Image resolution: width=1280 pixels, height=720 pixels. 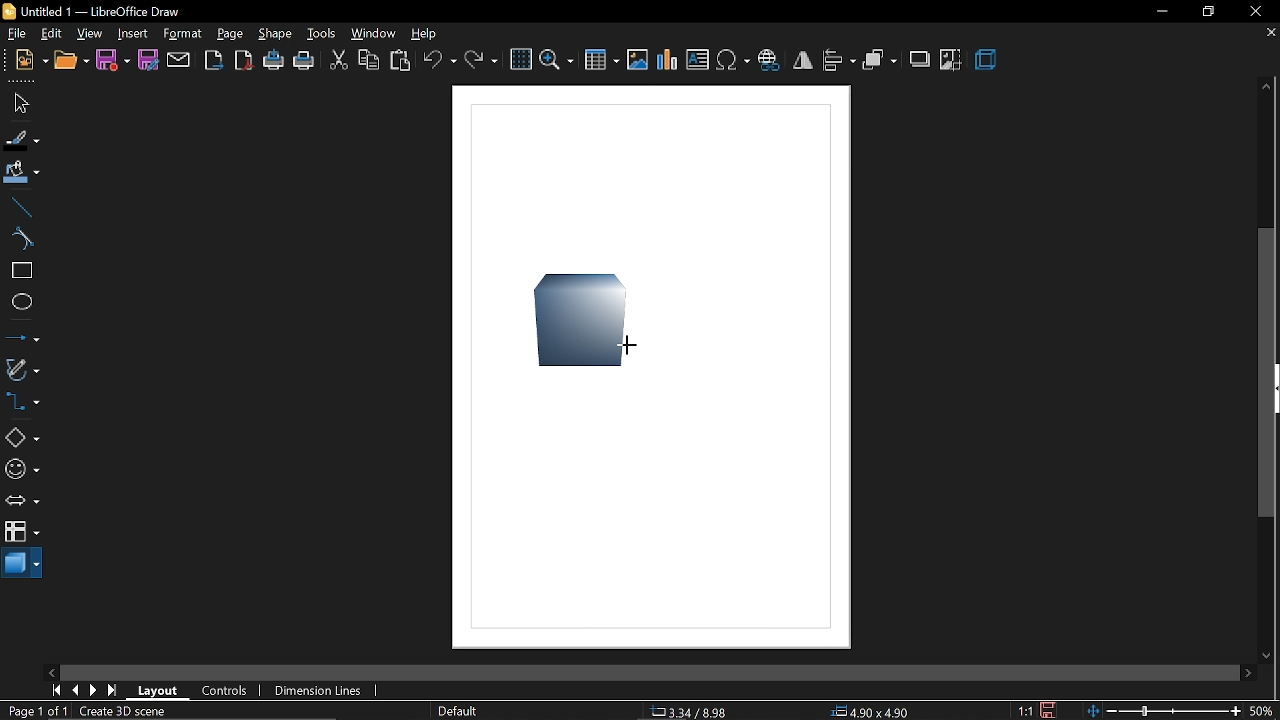 I want to click on Cursor, so click(x=637, y=344).